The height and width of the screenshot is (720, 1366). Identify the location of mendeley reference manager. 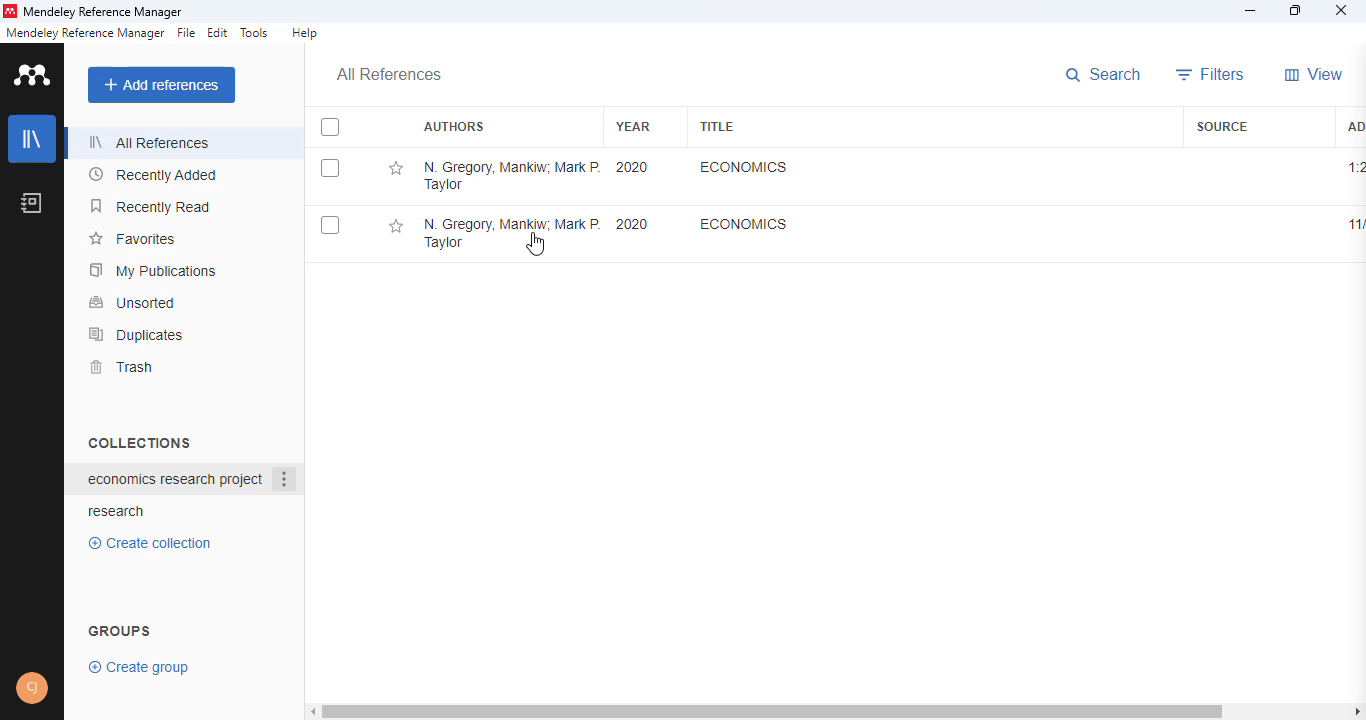
(85, 33).